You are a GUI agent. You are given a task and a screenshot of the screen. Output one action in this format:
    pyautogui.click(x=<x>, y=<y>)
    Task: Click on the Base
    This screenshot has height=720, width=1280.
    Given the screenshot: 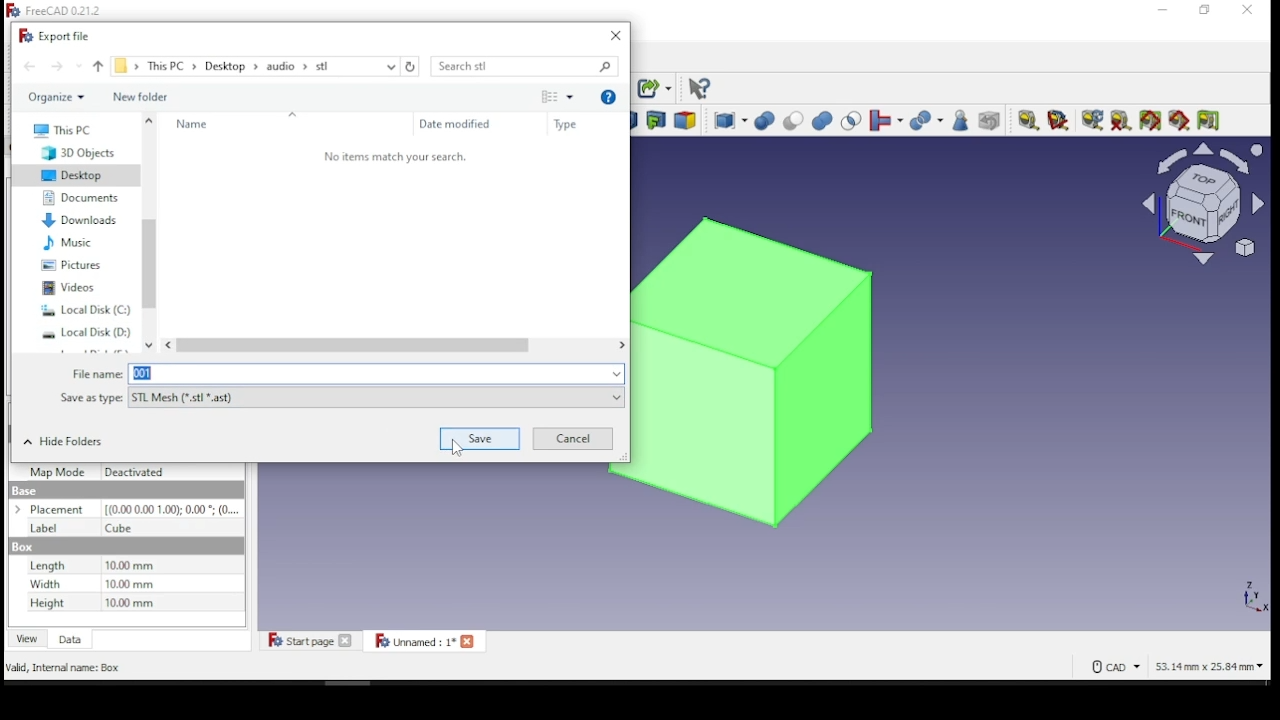 What is the action you would take?
    pyautogui.click(x=25, y=491)
    